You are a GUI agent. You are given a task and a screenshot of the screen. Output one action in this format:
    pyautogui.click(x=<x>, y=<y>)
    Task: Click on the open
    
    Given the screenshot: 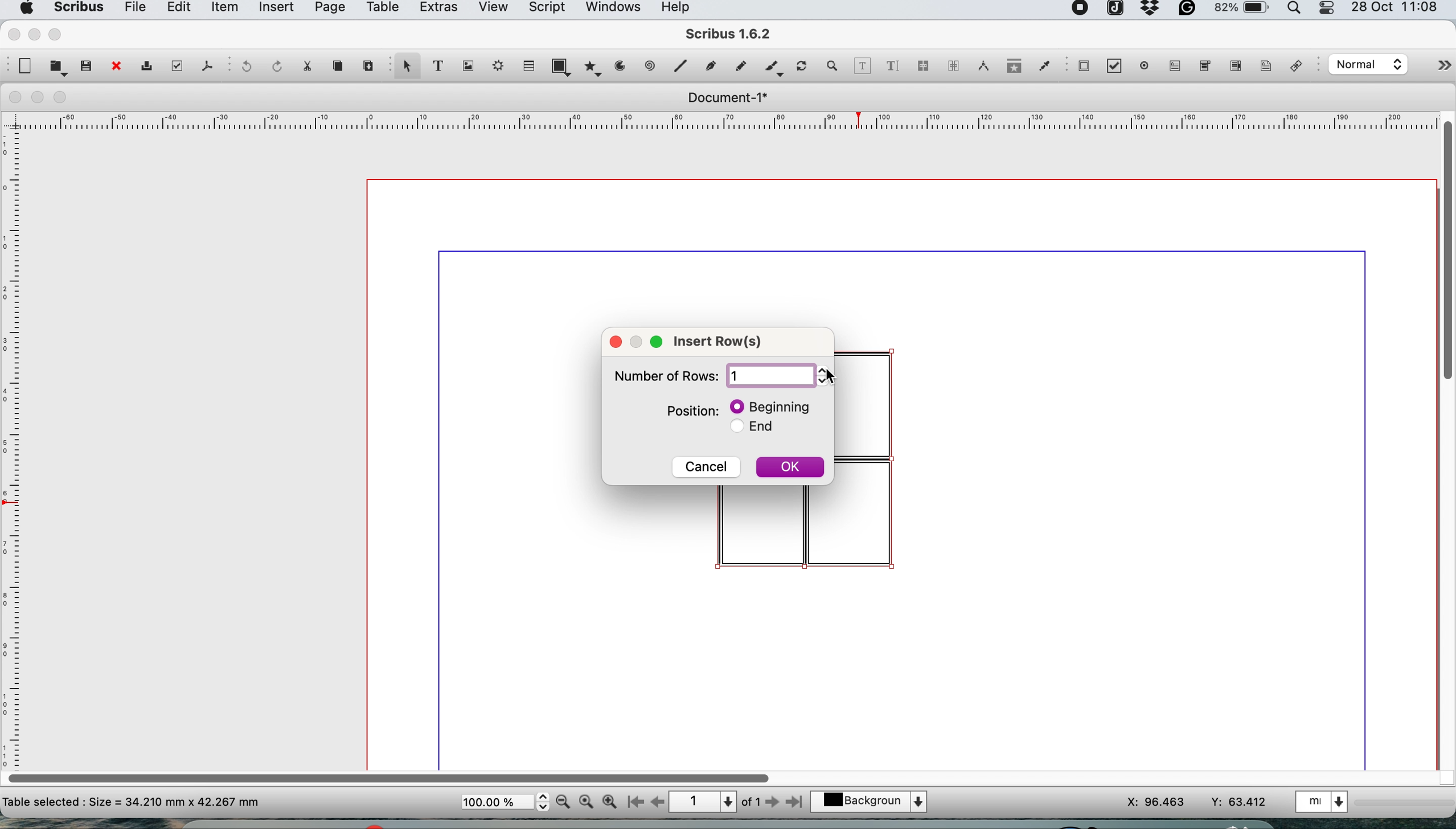 What is the action you would take?
    pyautogui.click(x=58, y=67)
    